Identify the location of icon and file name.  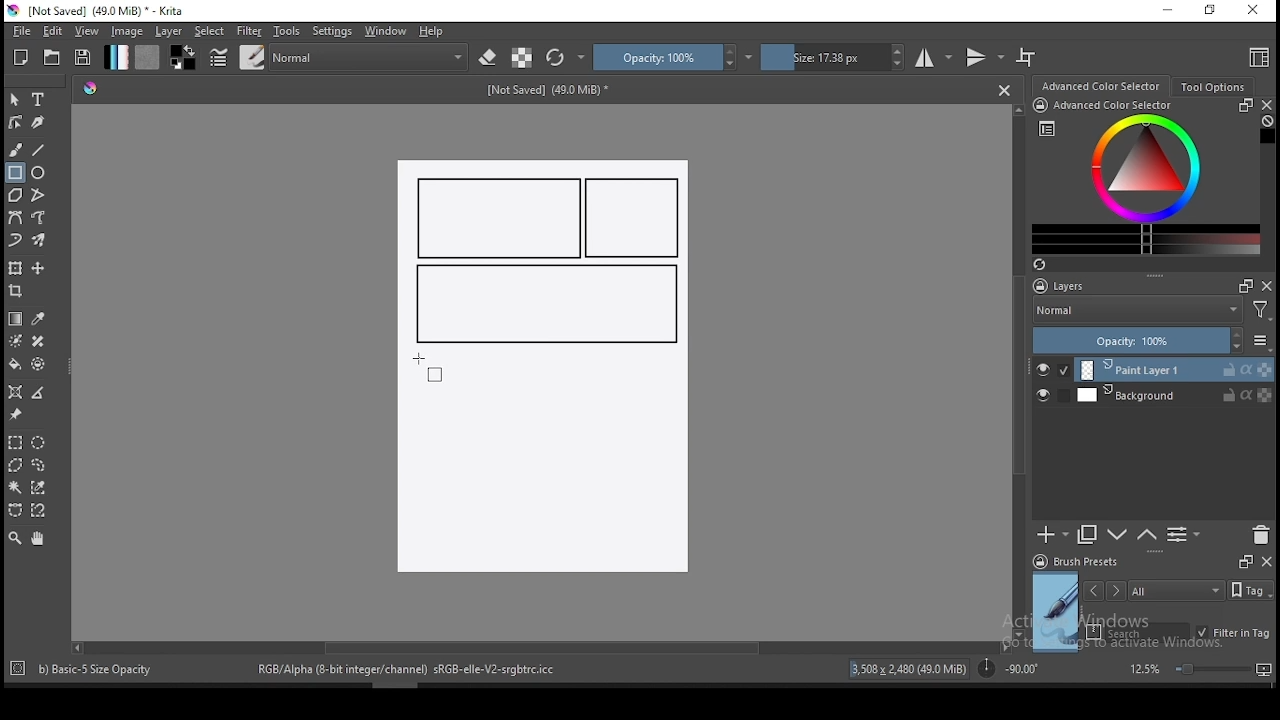
(99, 11).